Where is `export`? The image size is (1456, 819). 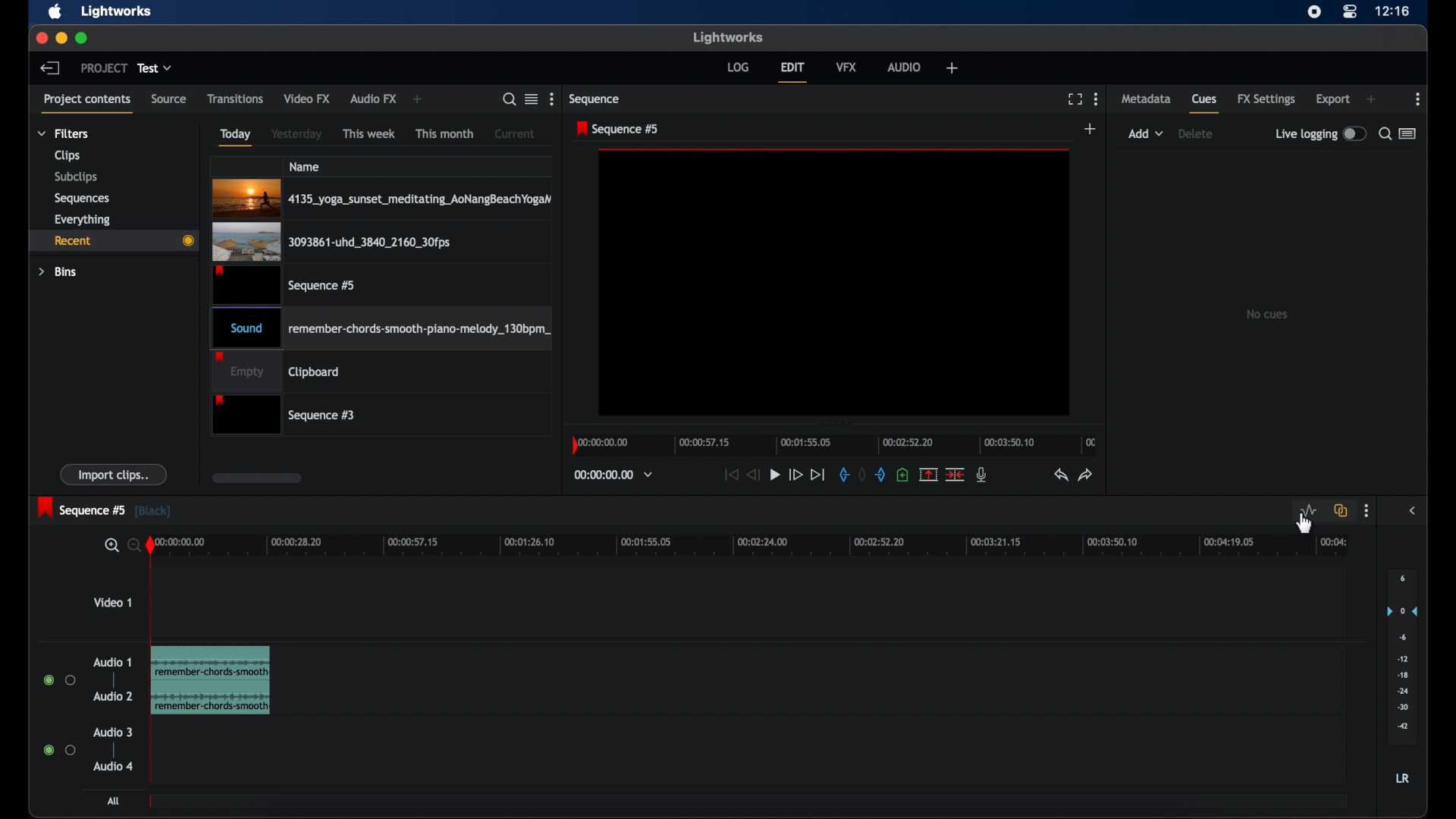 export is located at coordinates (1333, 99).